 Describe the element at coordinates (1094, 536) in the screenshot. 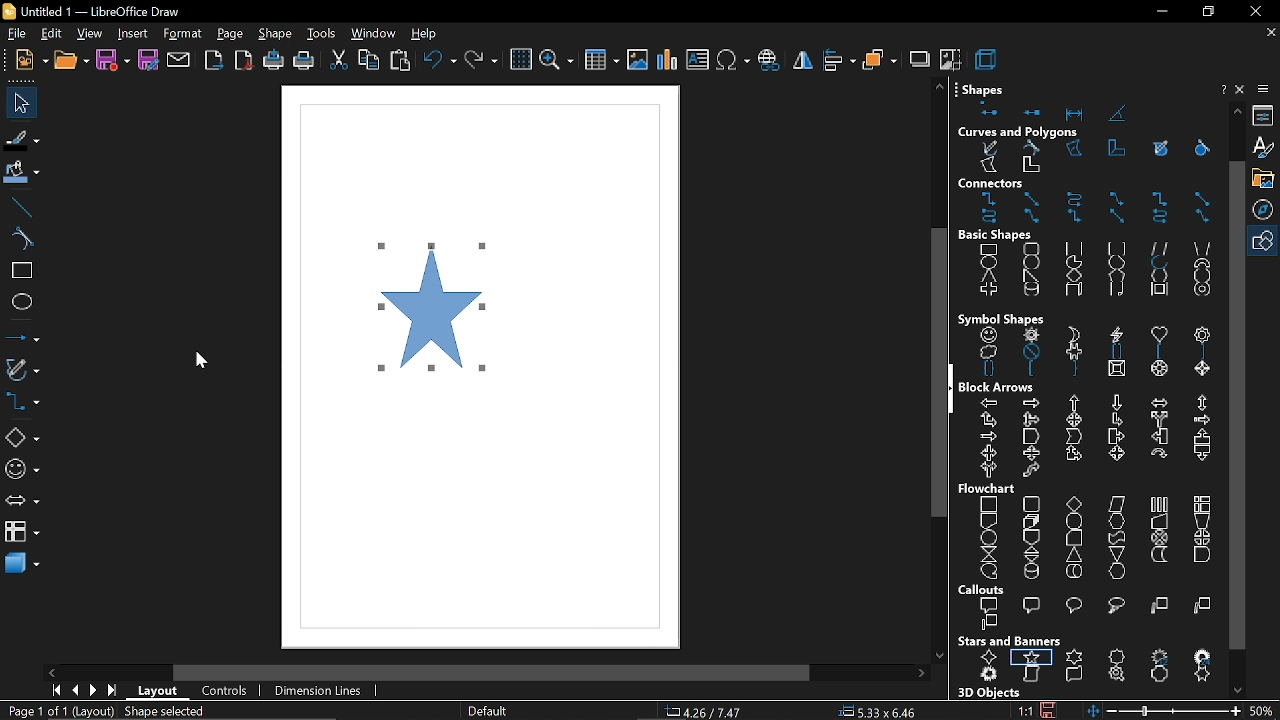

I see `flowchart` at that location.